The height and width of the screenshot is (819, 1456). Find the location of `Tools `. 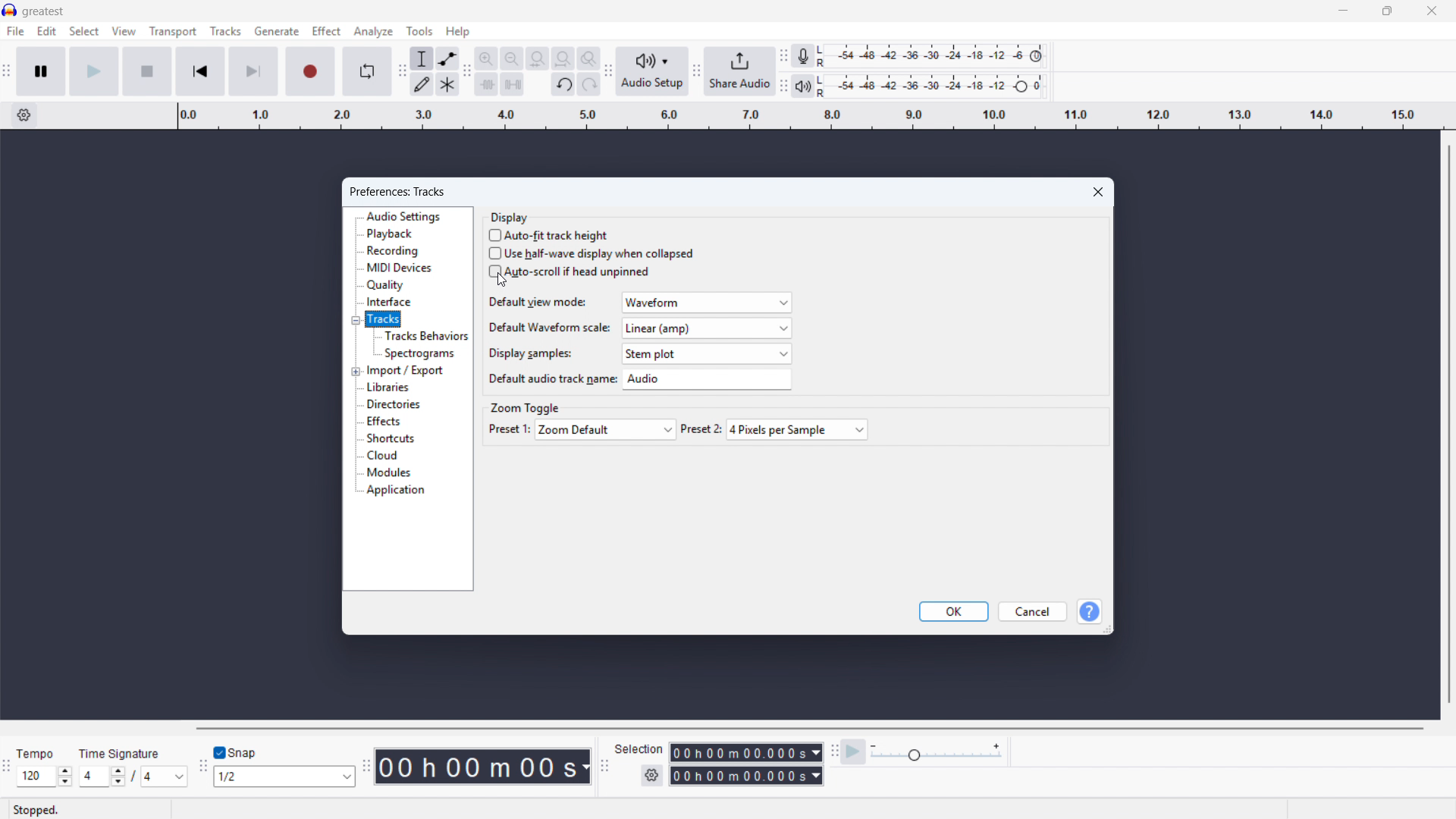

Tools  is located at coordinates (420, 31).